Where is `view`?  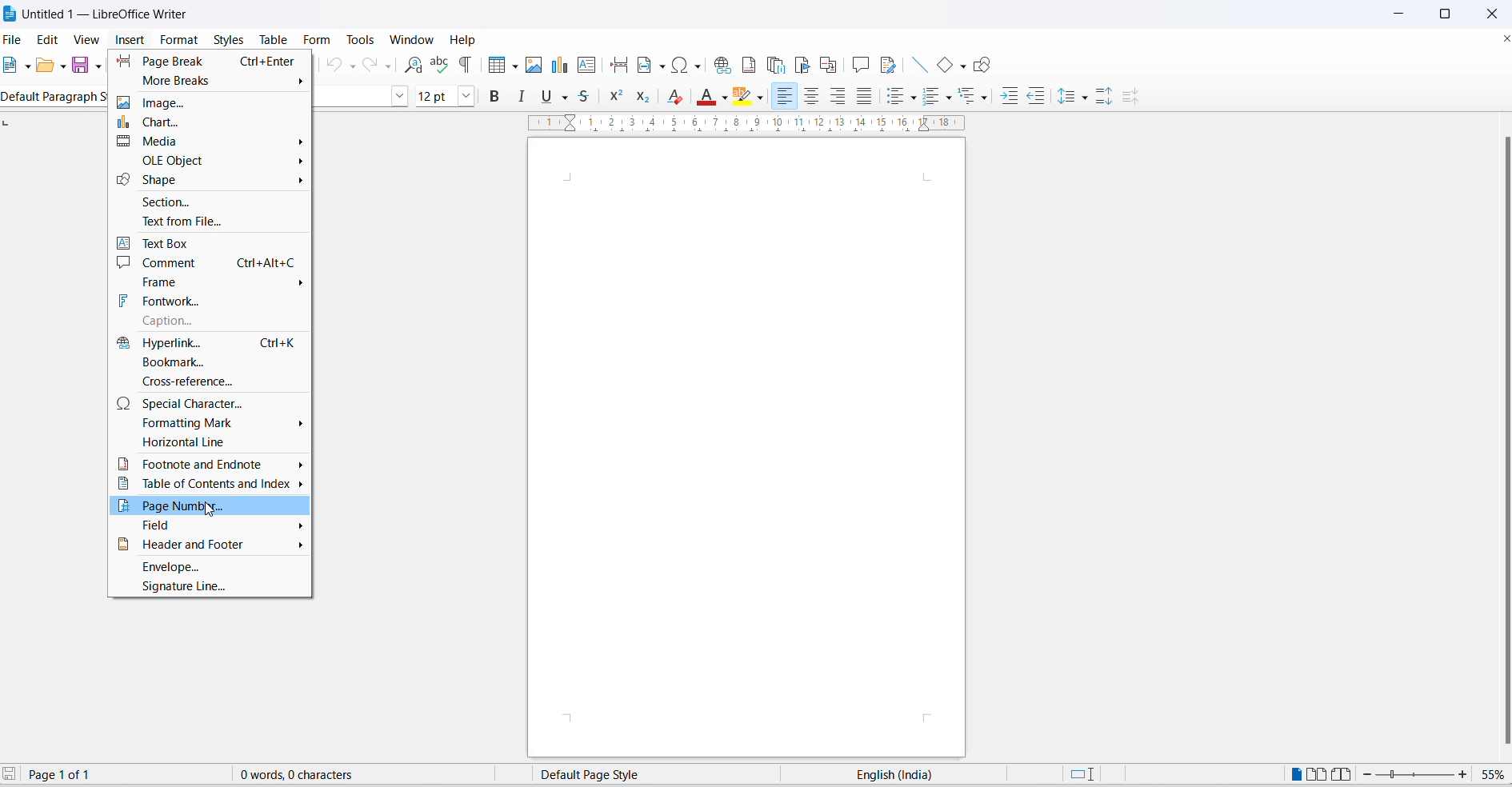 view is located at coordinates (87, 38).